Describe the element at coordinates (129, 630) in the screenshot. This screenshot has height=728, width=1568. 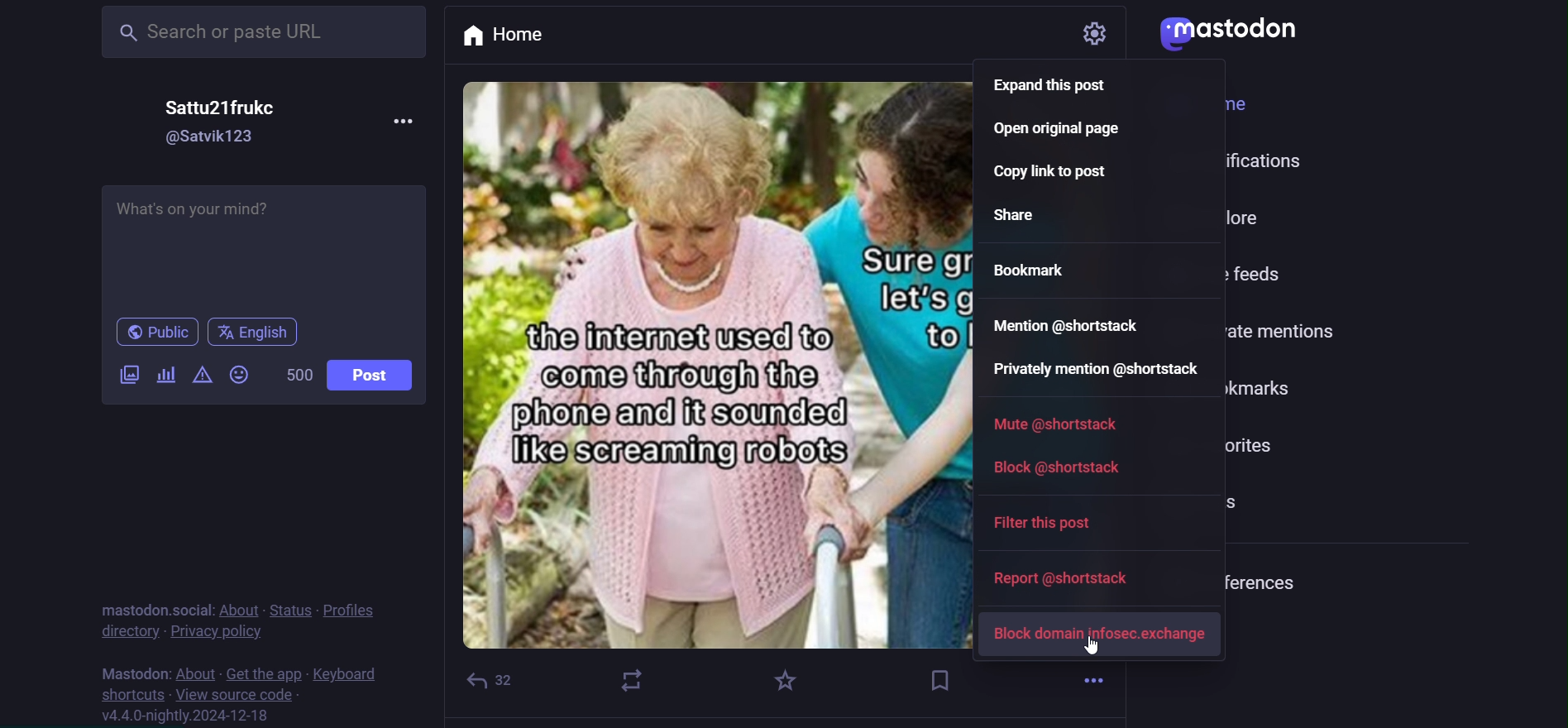
I see `directory` at that location.